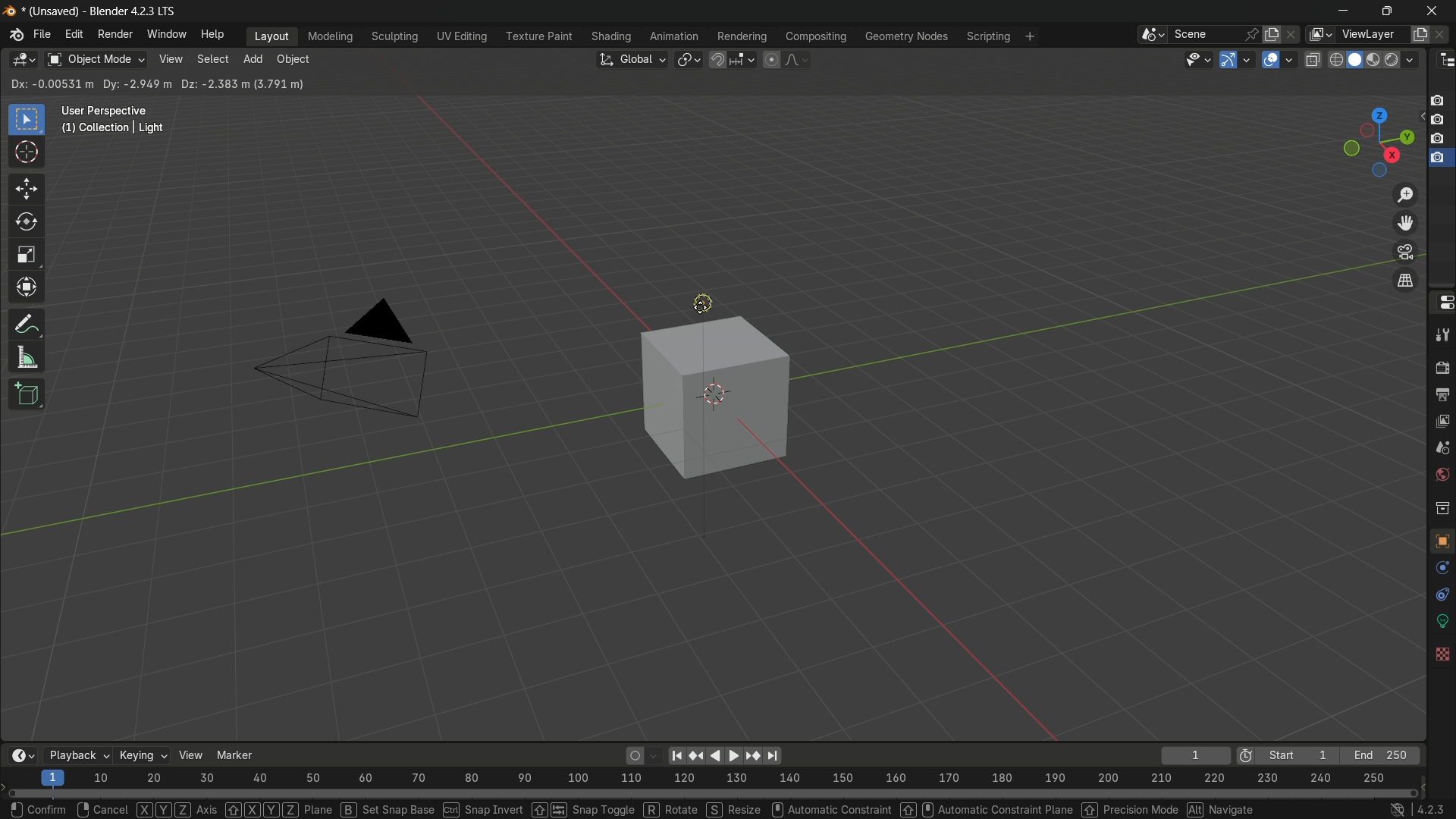 Image resolution: width=1456 pixels, height=819 pixels. What do you see at coordinates (1253, 34) in the screenshot?
I see `pin scene to workspace` at bounding box center [1253, 34].